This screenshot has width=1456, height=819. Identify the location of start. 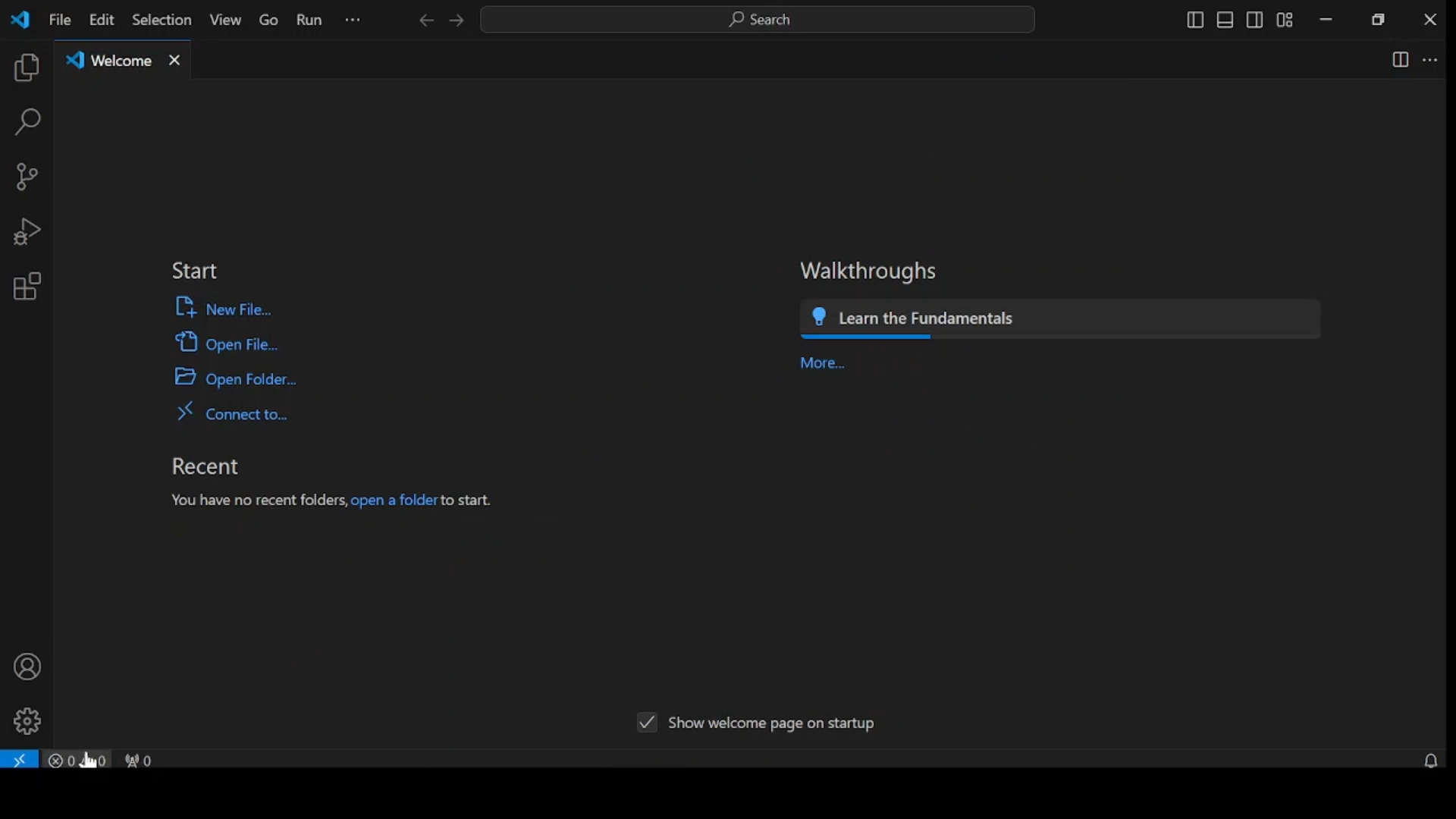
(197, 270).